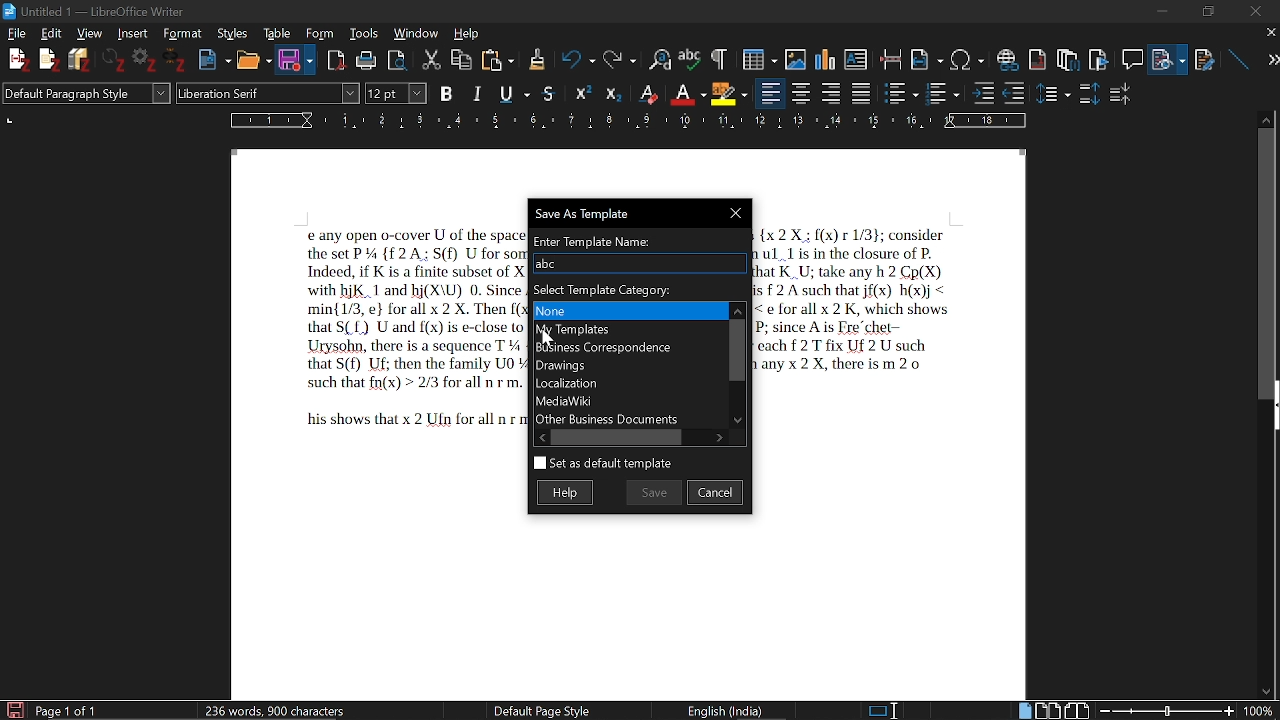 This screenshot has height=720, width=1280. What do you see at coordinates (478, 92) in the screenshot?
I see `Italics` at bounding box center [478, 92].